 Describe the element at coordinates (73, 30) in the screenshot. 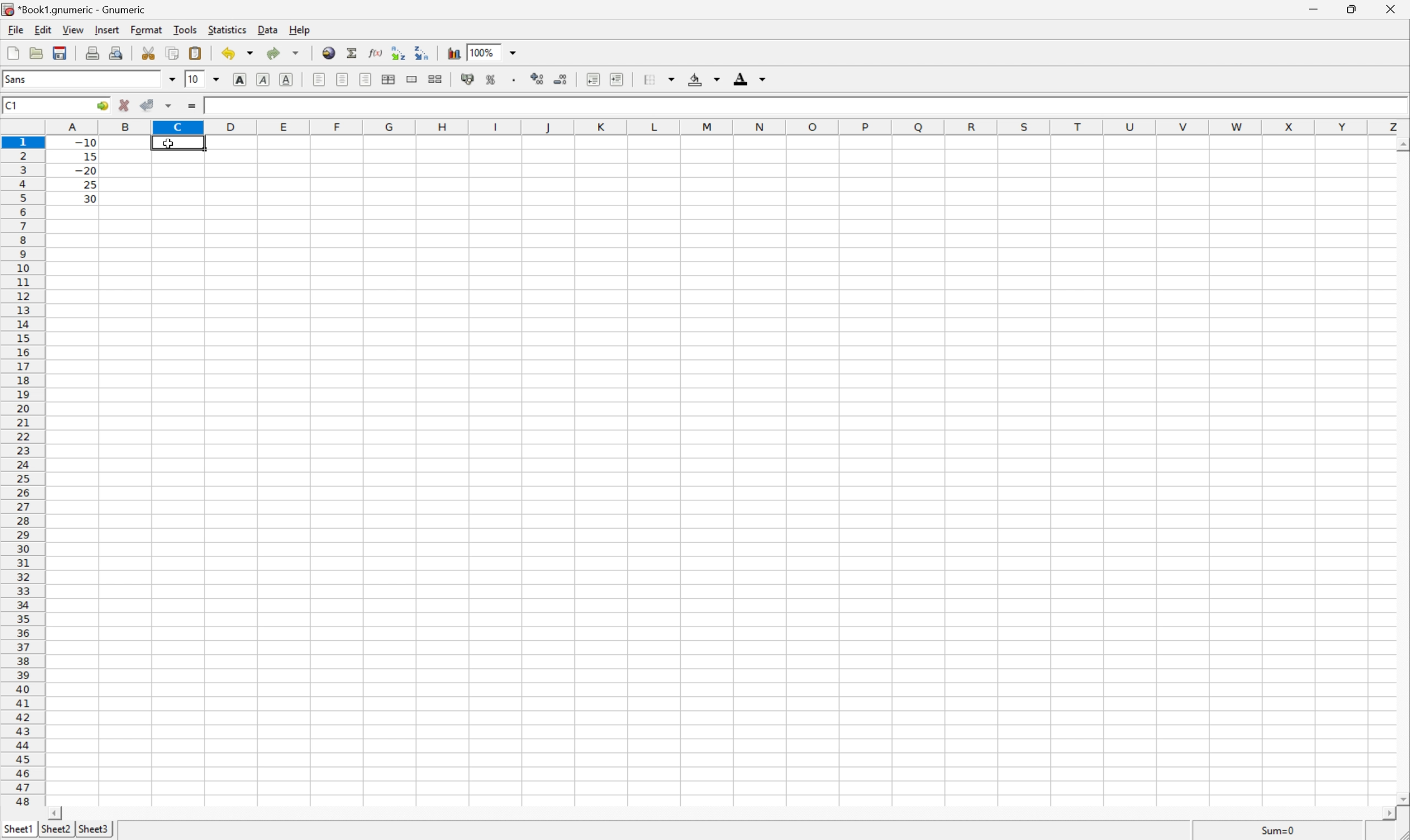

I see `View` at that location.